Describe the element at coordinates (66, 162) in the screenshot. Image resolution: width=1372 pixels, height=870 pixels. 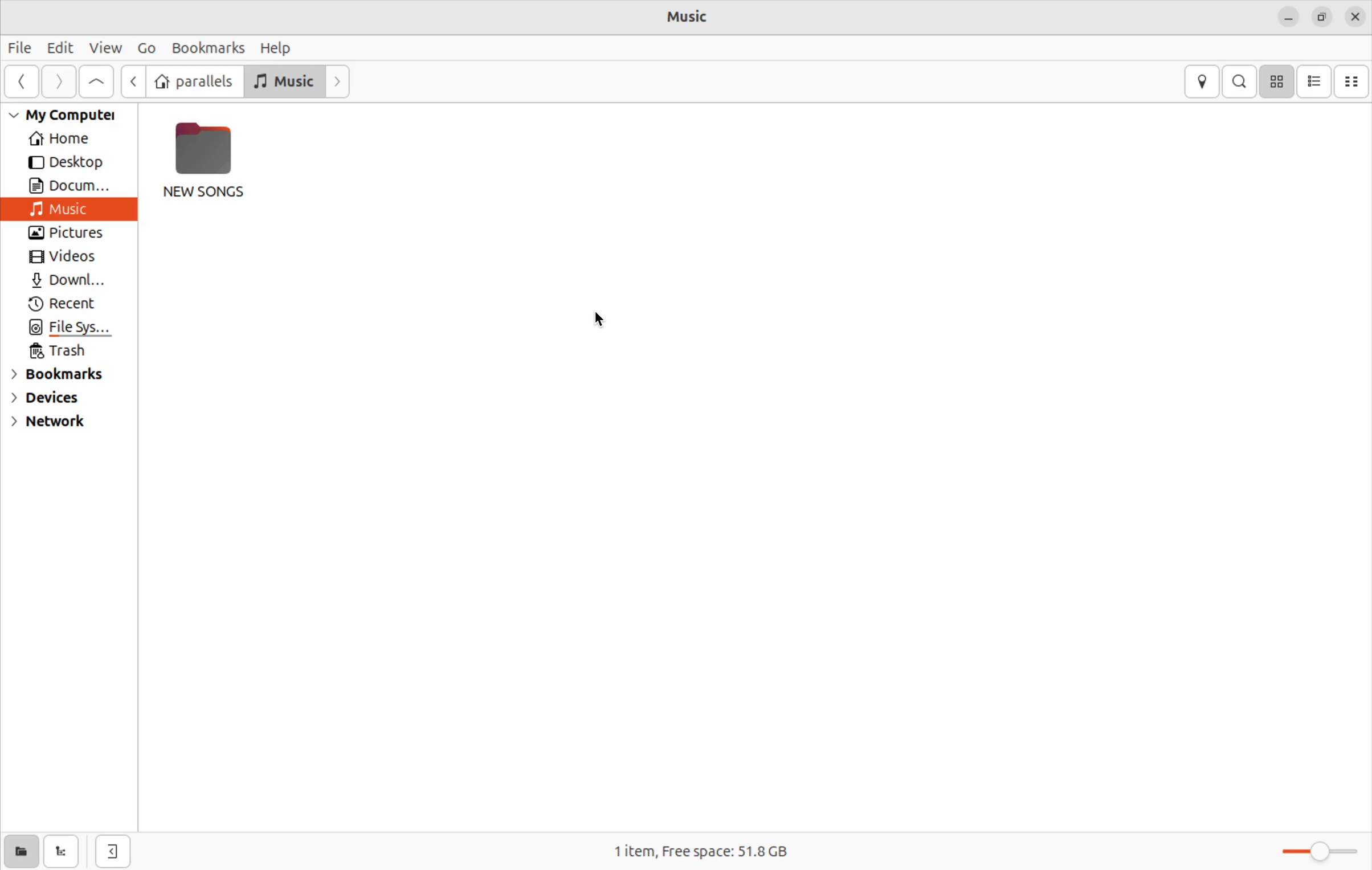
I see `Desktop` at that location.